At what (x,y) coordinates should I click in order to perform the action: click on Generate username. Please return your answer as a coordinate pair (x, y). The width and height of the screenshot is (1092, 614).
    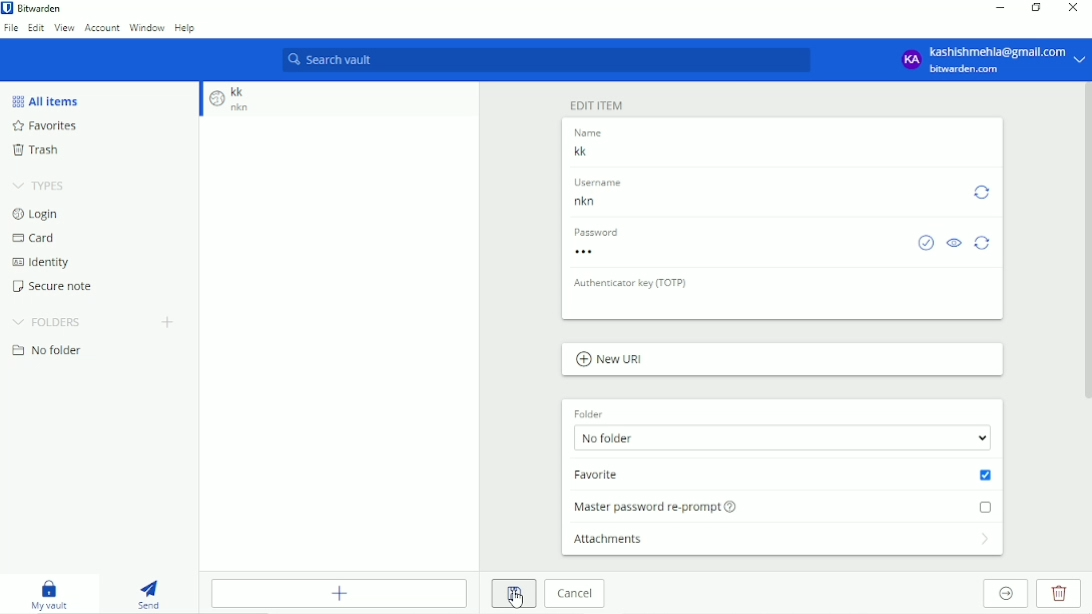
    Looking at the image, I should click on (983, 192).